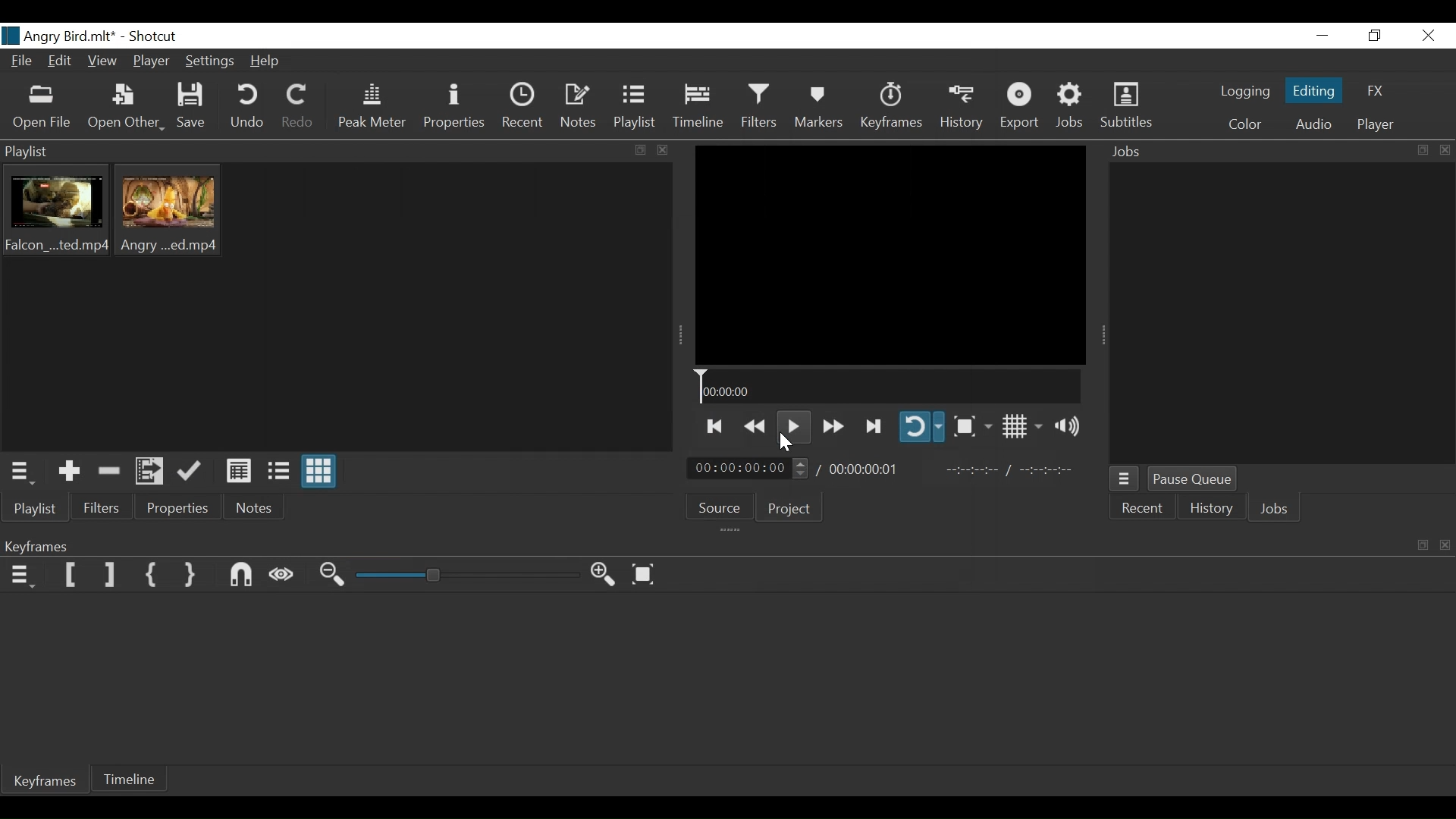 The width and height of the screenshot is (1456, 819). What do you see at coordinates (1326, 36) in the screenshot?
I see `Minimize` at bounding box center [1326, 36].